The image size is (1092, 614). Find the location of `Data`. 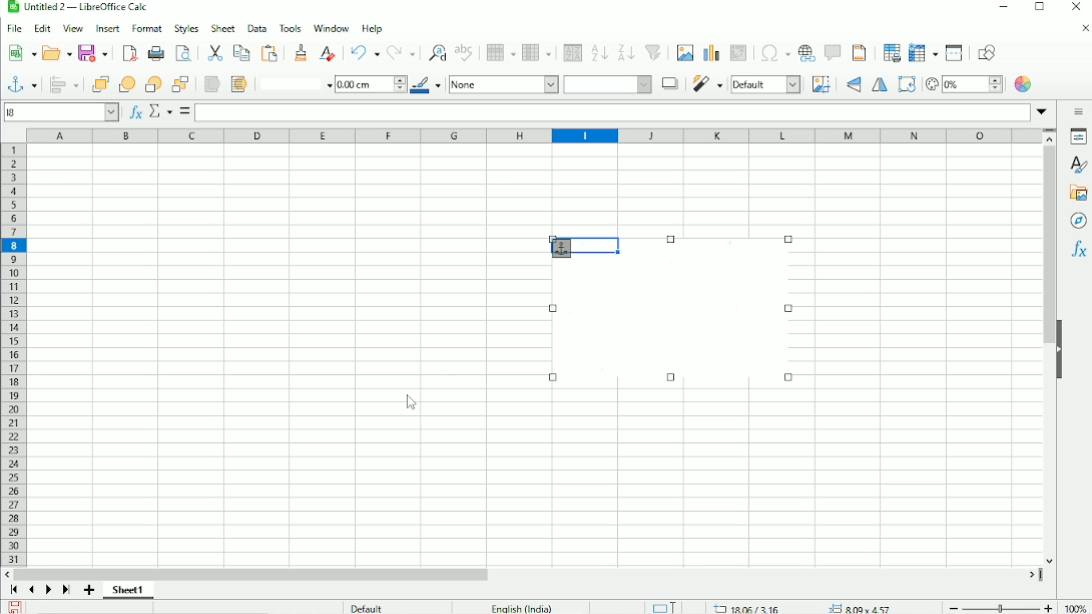

Data is located at coordinates (256, 27).